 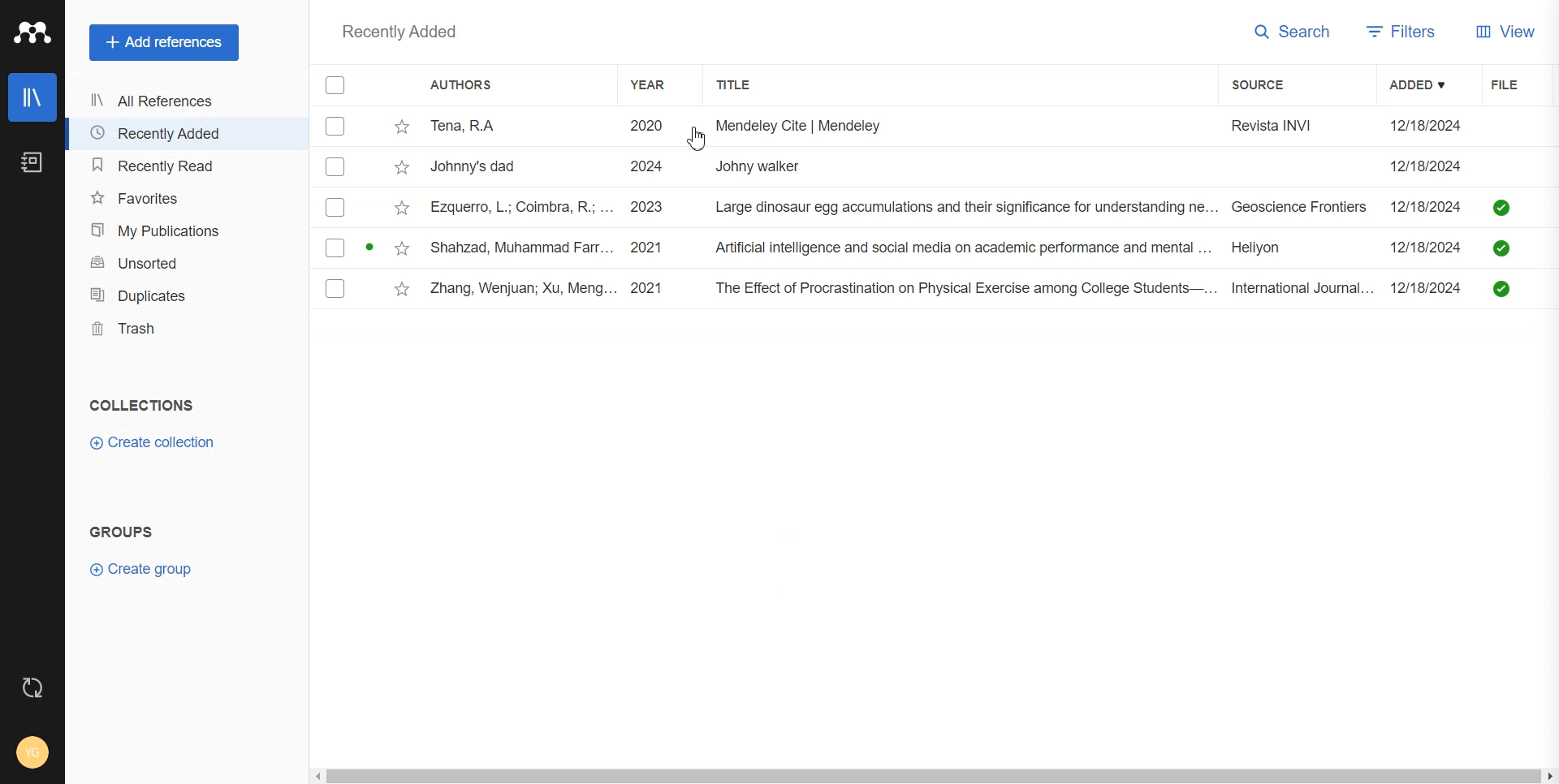 What do you see at coordinates (184, 166) in the screenshot?
I see `Recently Read` at bounding box center [184, 166].